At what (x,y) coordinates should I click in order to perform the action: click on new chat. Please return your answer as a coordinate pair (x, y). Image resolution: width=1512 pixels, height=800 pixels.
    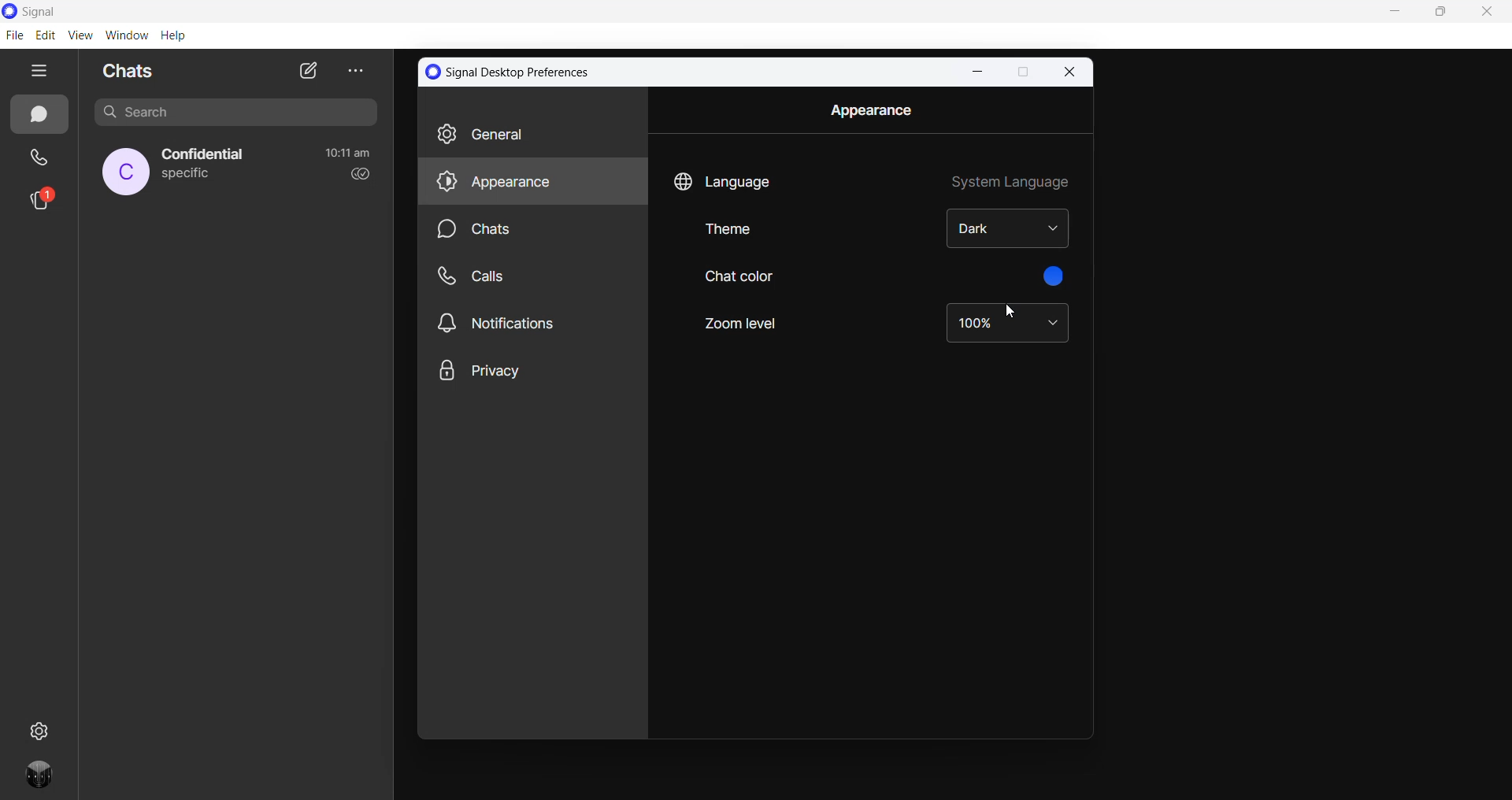
    Looking at the image, I should click on (308, 70).